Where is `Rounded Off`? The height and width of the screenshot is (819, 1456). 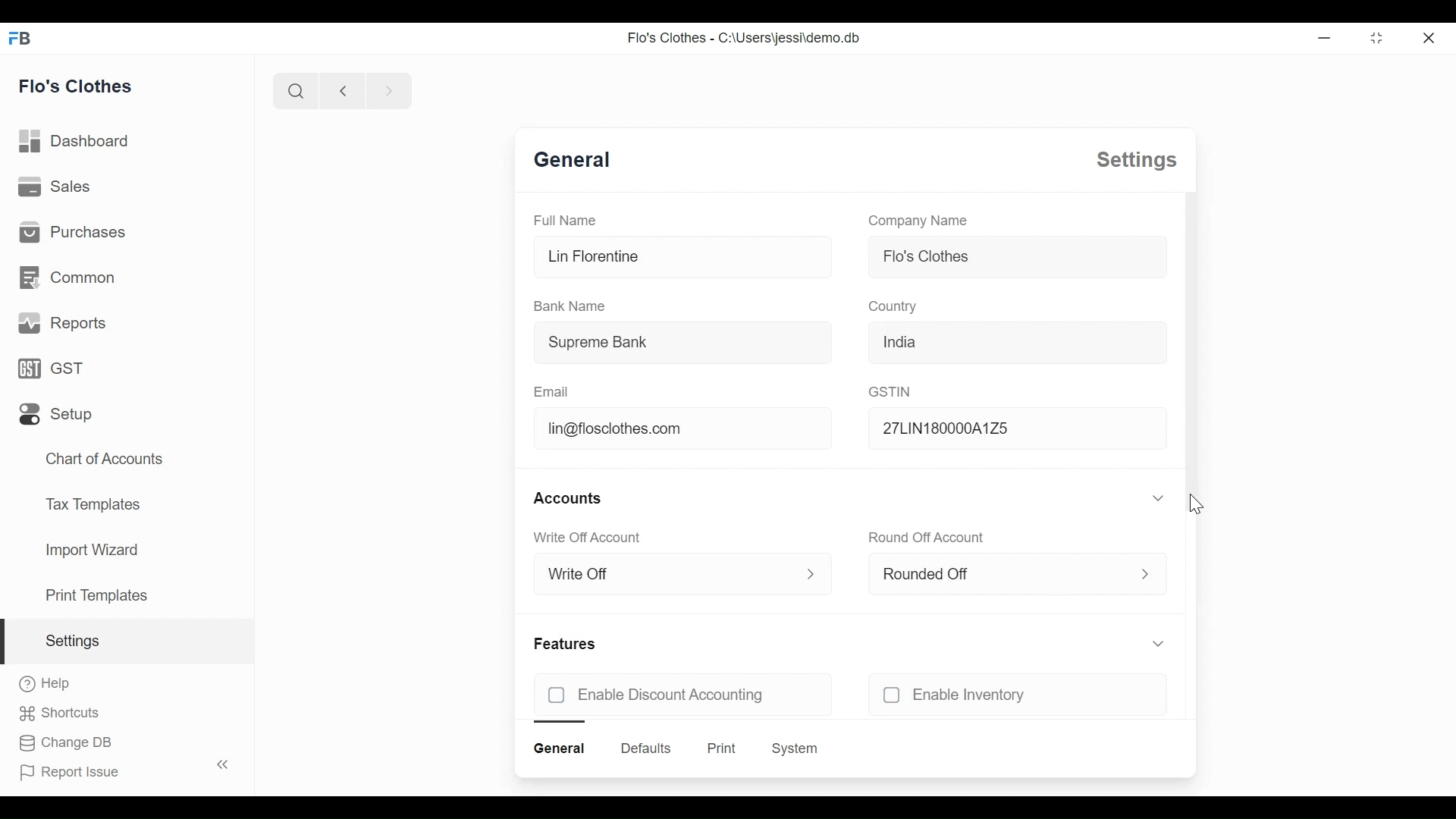
Rounded Off is located at coordinates (999, 572).